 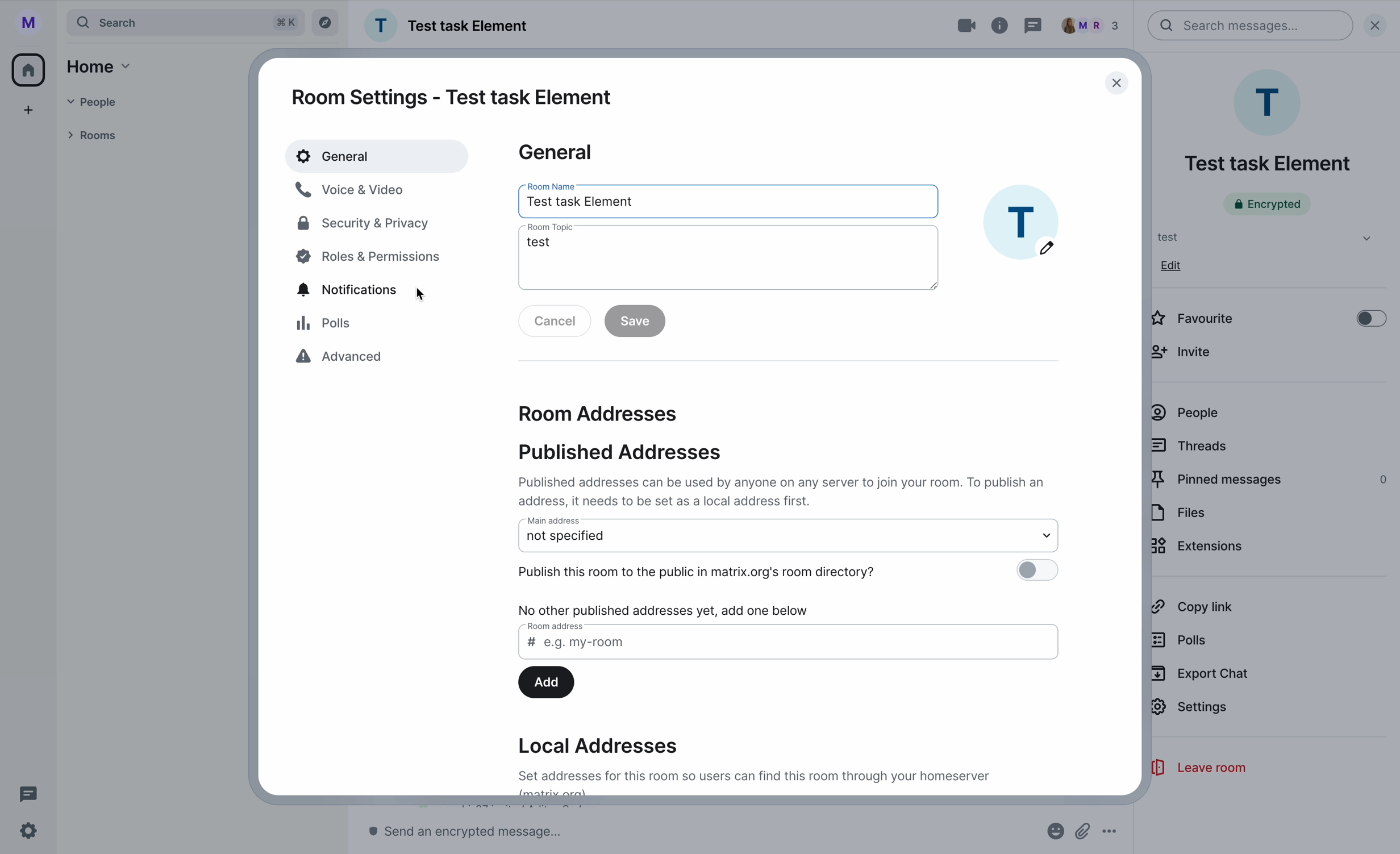 What do you see at coordinates (101, 66) in the screenshot?
I see `home` at bounding box center [101, 66].